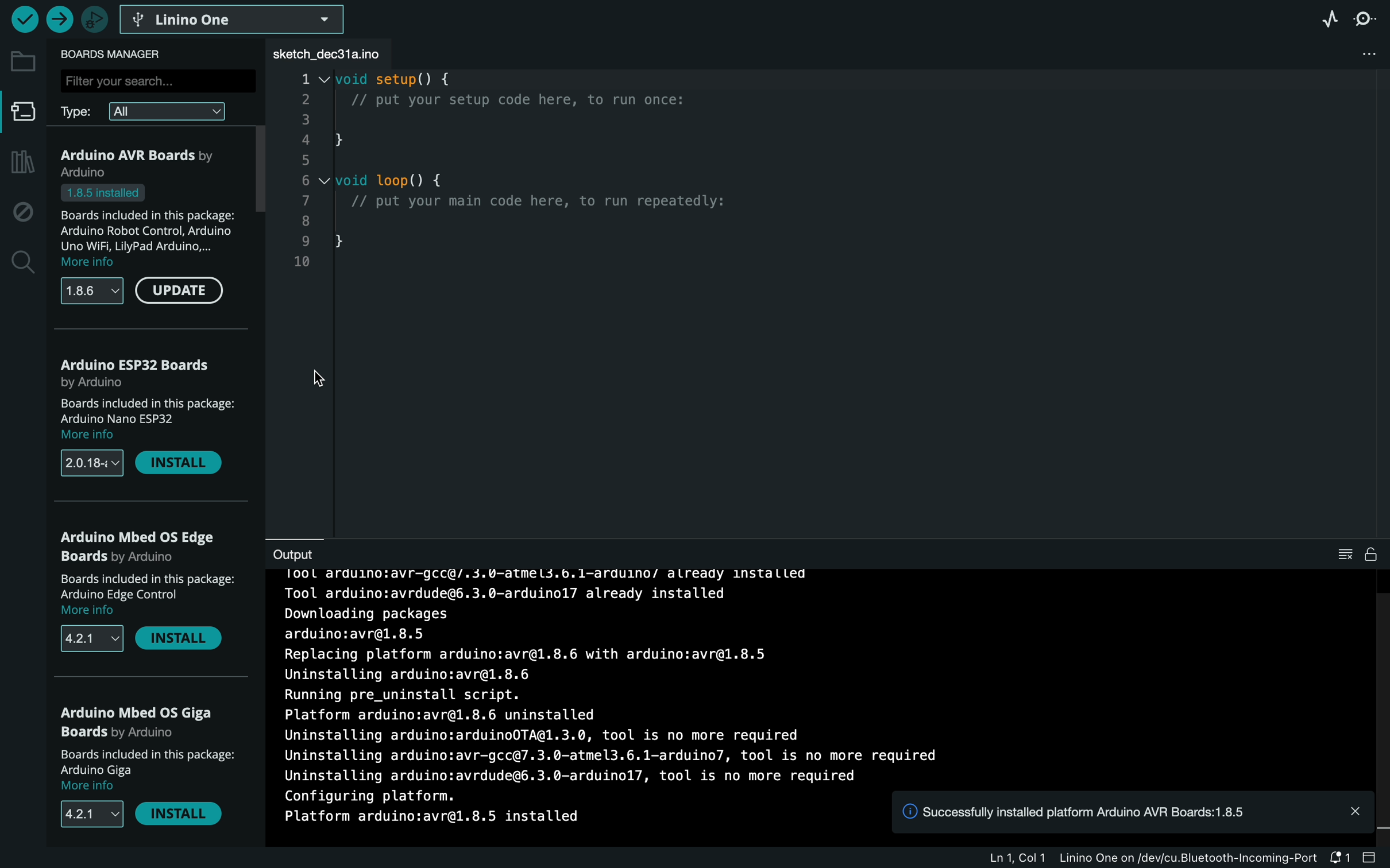 This screenshot has height=868, width=1390. What do you see at coordinates (146, 549) in the screenshot?
I see `arduino Mbed` at bounding box center [146, 549].